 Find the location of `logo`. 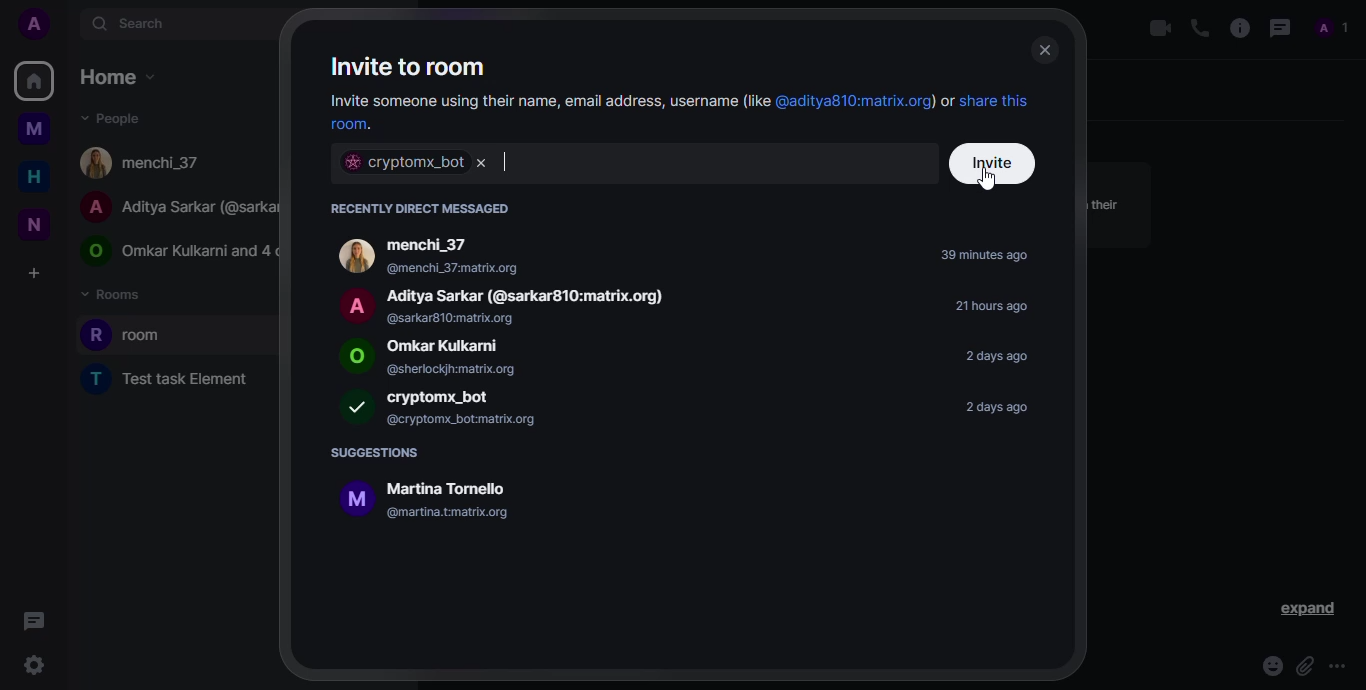

logo is located at coordinates (354, 407).